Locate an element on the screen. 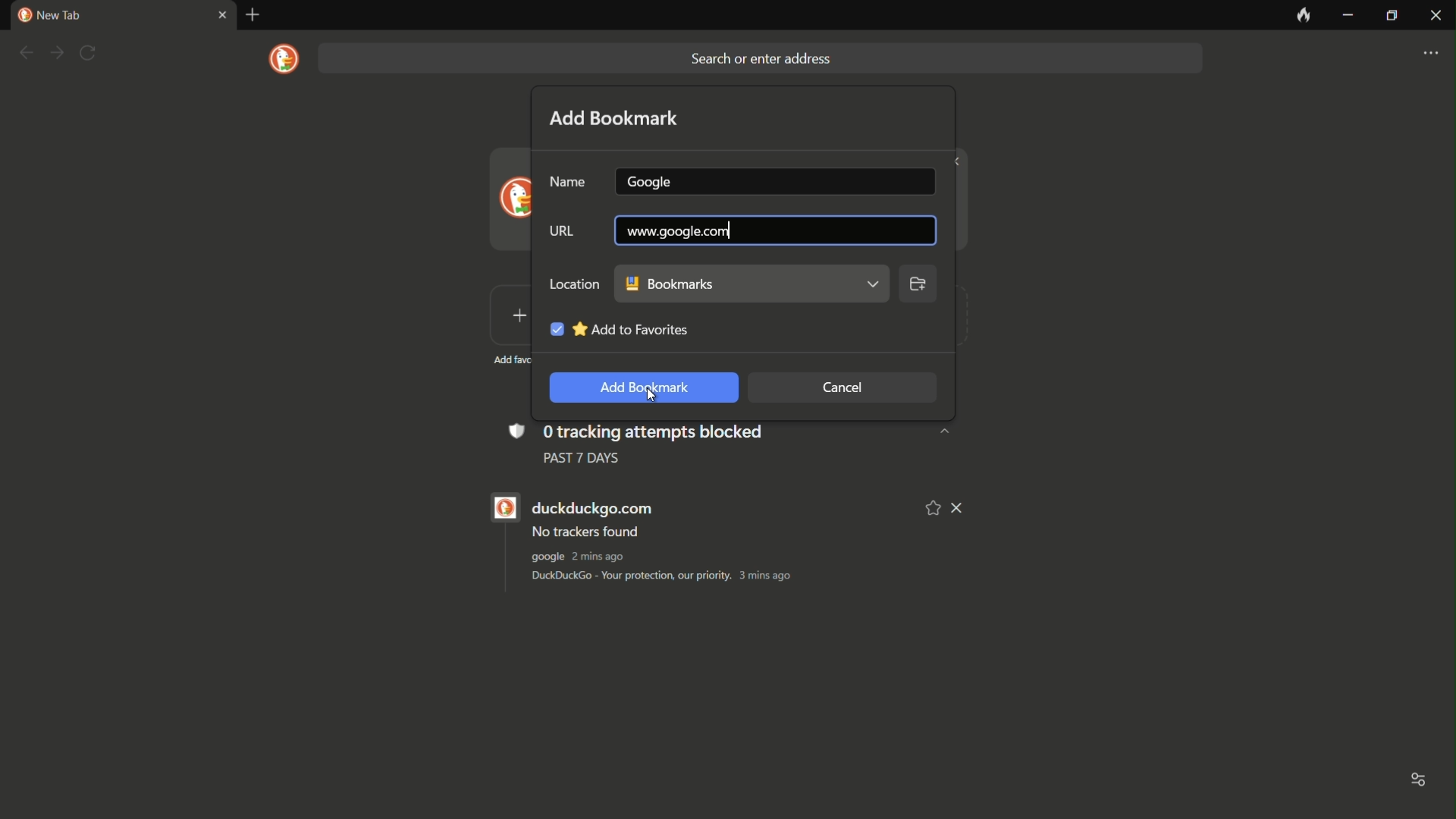 Image resolution: width=1456 pixels, height=819 pixels. forward is located at coordinates (56, 54).